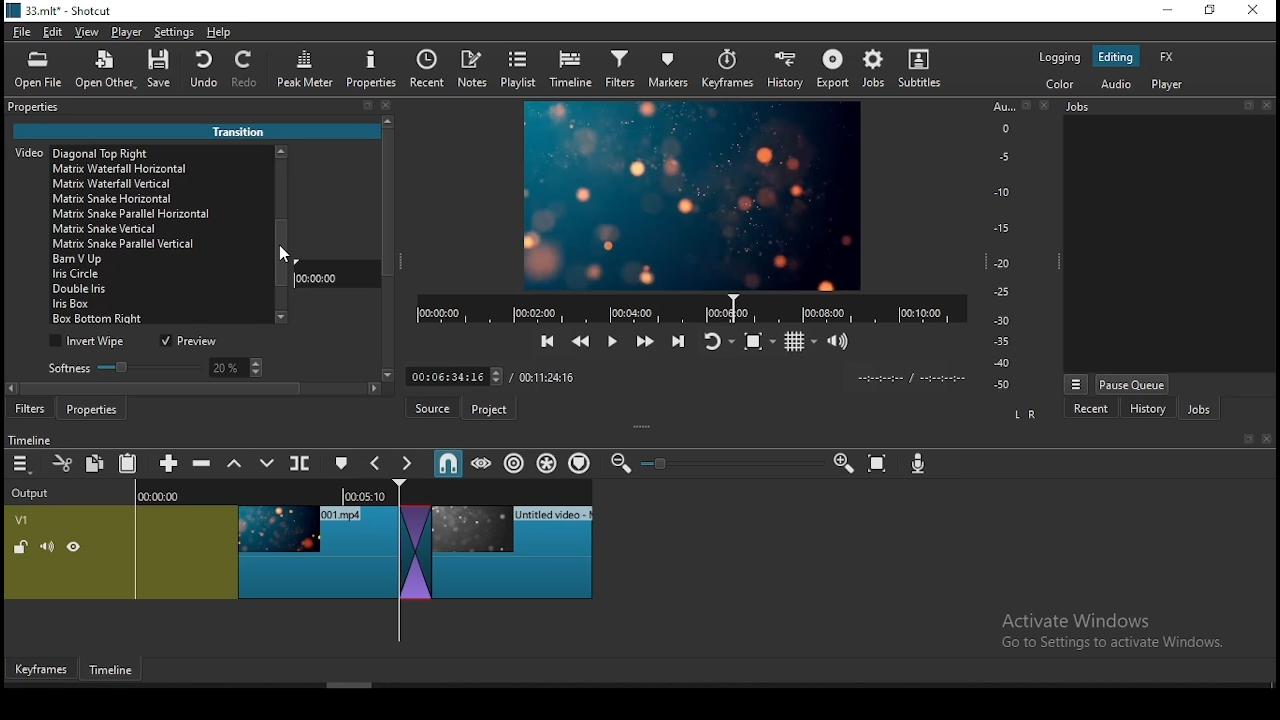 This screenshot has height=720, width=1280. Describe the element at coordinates (843, 464) in the screenshot. I see `zoom timeline in` at that location.